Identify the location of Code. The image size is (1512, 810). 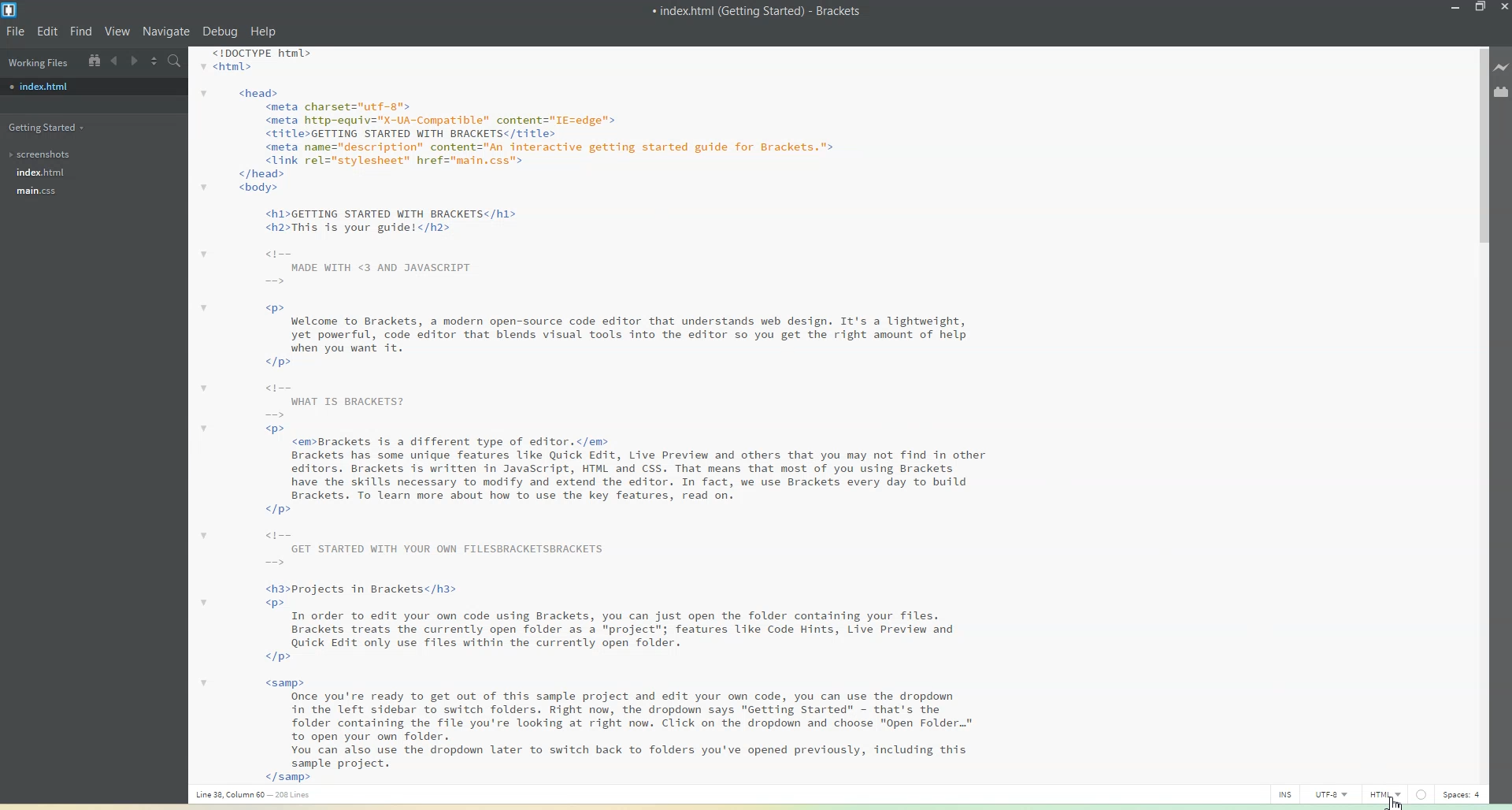
(586, 414).